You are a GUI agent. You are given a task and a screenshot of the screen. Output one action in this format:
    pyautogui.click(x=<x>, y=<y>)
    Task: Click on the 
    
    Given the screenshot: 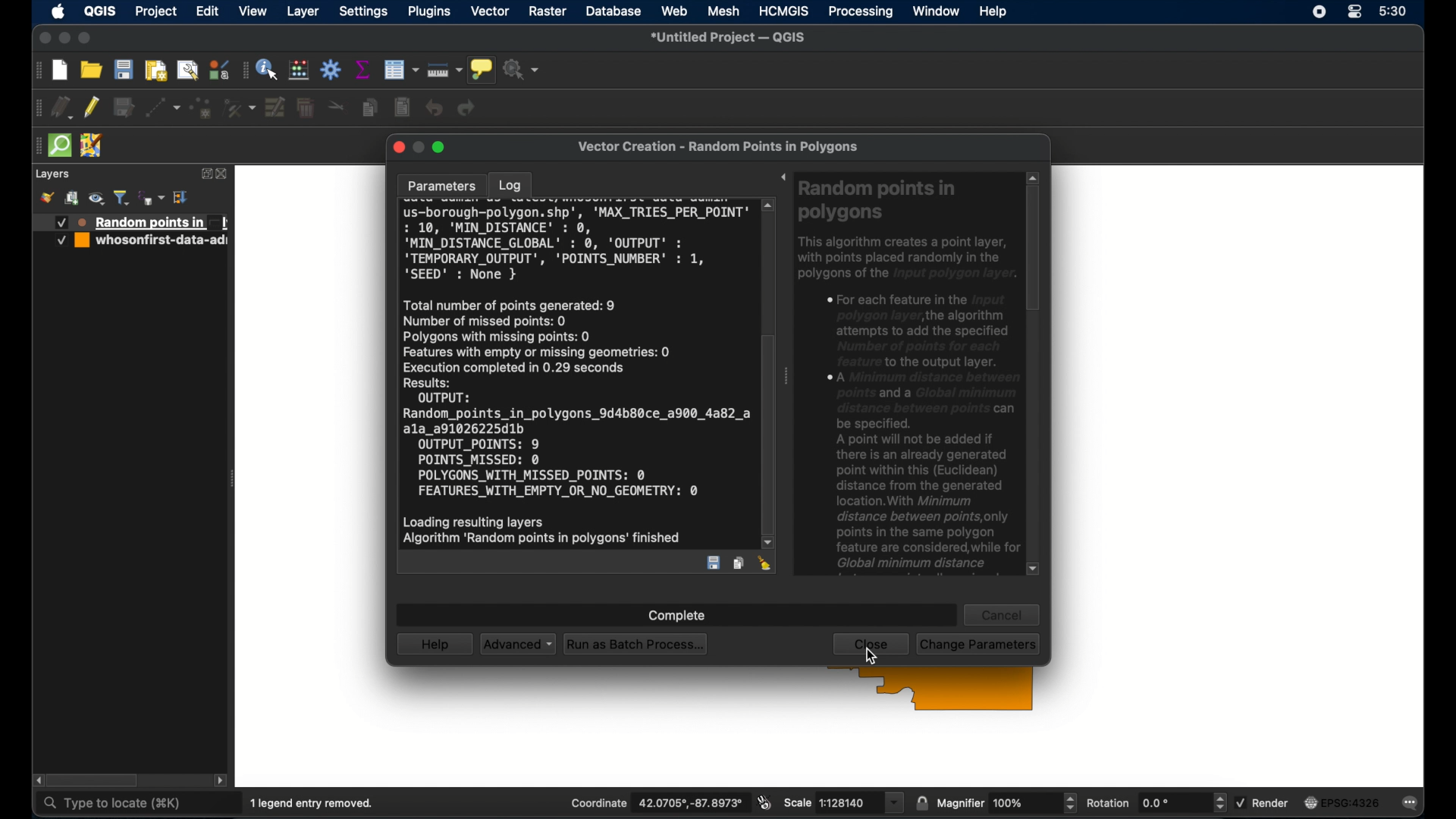 What is the action you would take?
    pyautogui.click(x=905, y=376)
    